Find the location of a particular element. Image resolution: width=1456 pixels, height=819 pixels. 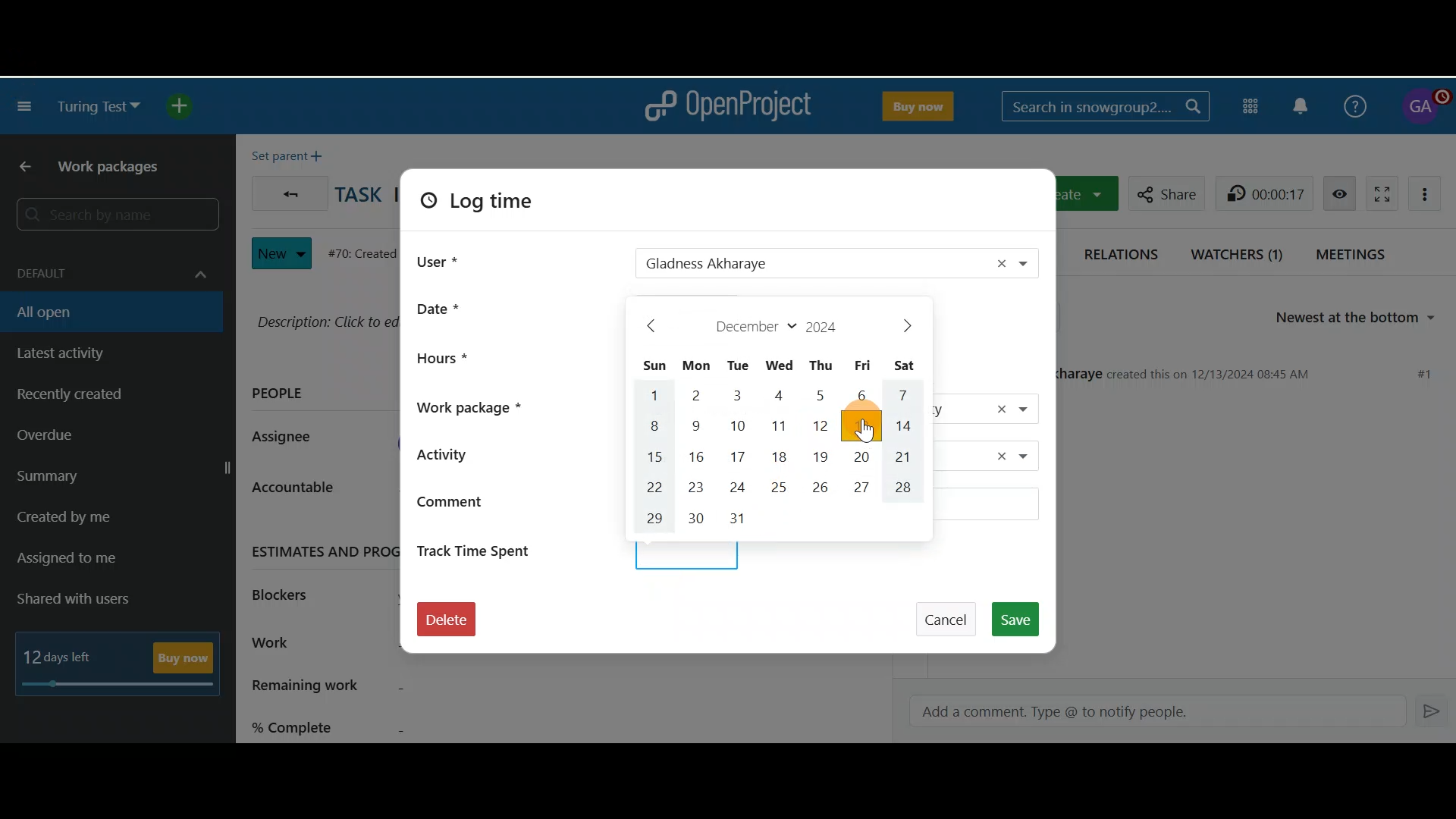

Calendar days is located at coordinates (777, 463).